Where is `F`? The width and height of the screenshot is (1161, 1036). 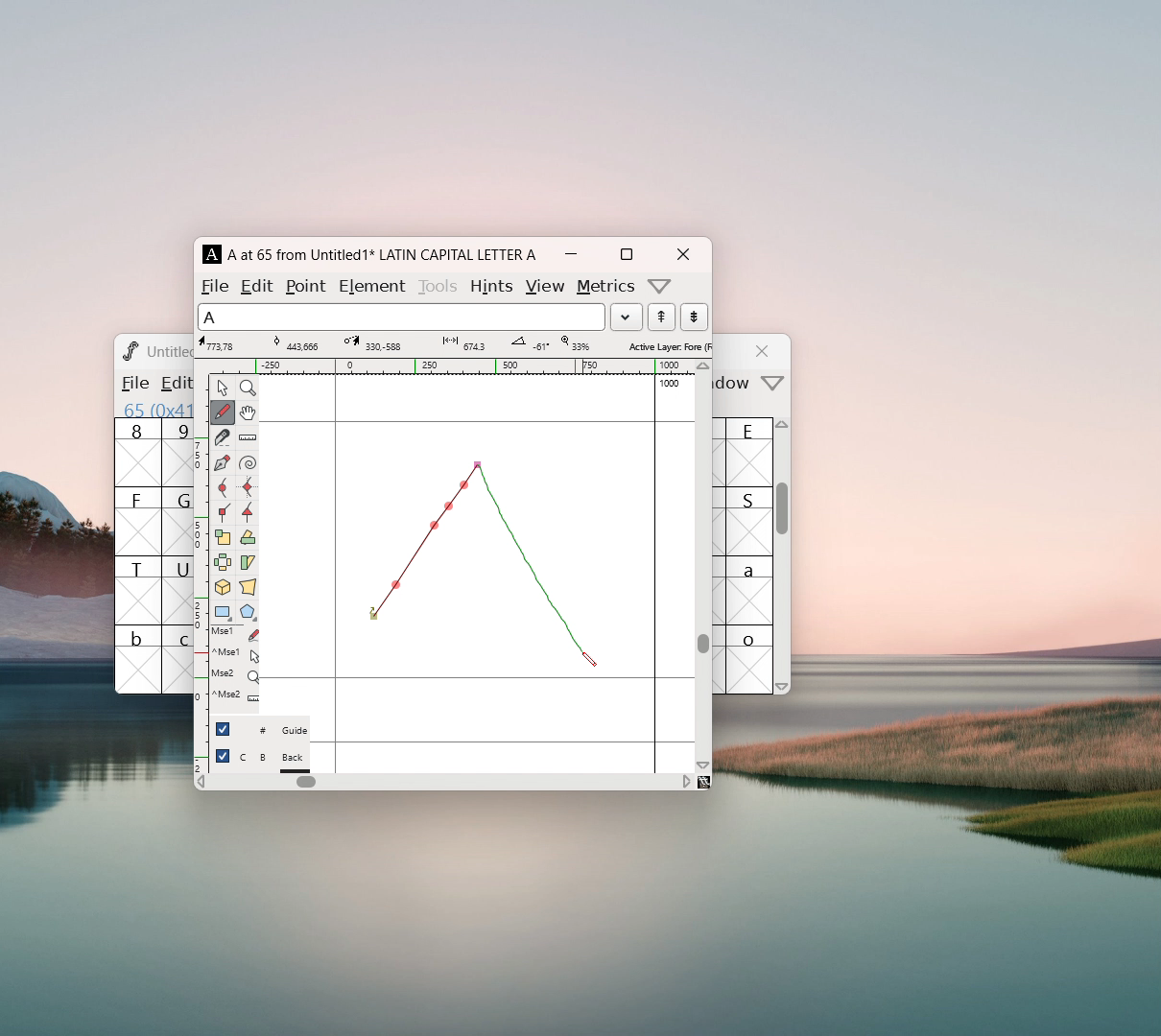
F is located at coordinates (138, 521).